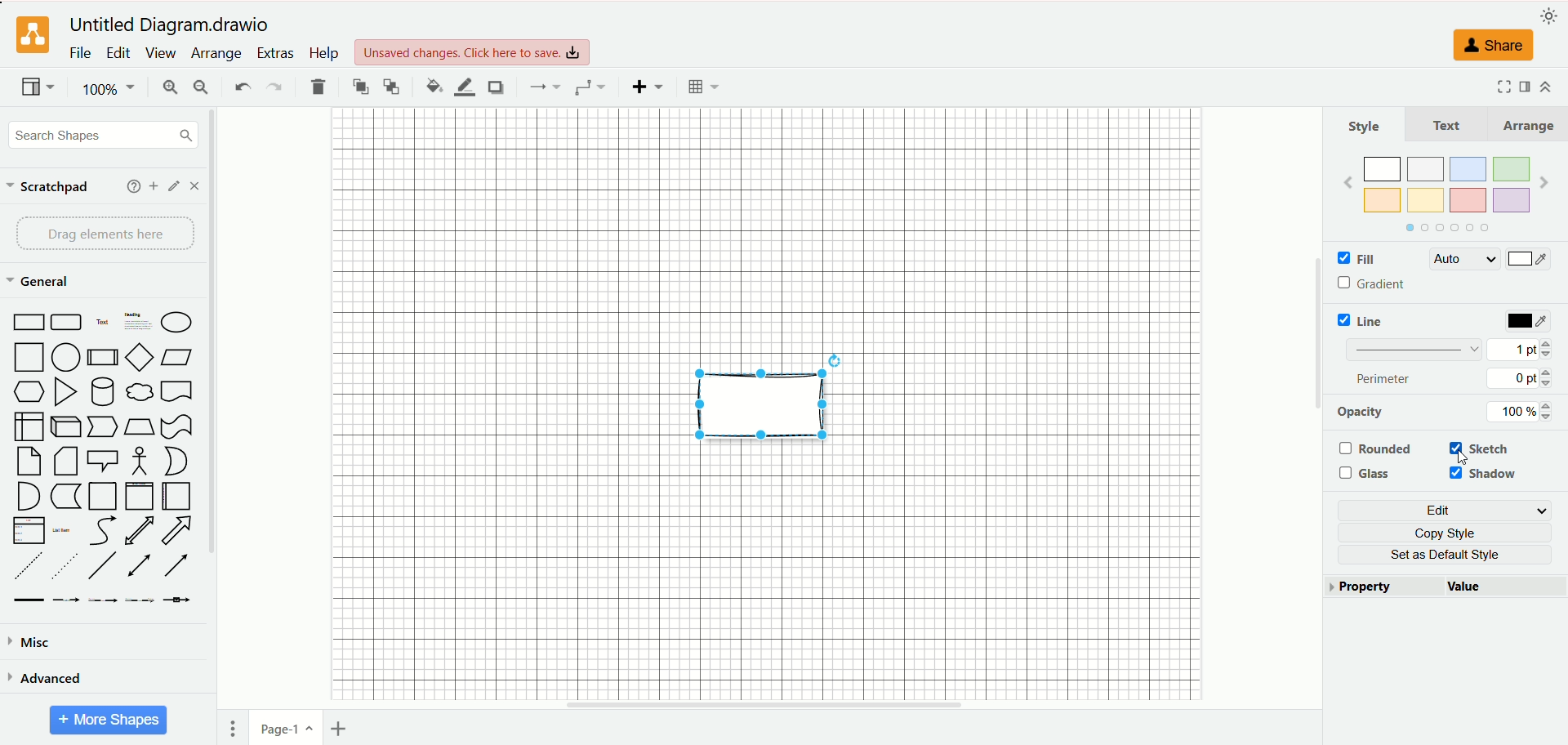 This screenshot has width=1568, height=745. Describe the element at coordinates (1528, 261) in the screenshot. I see `color` at that location.